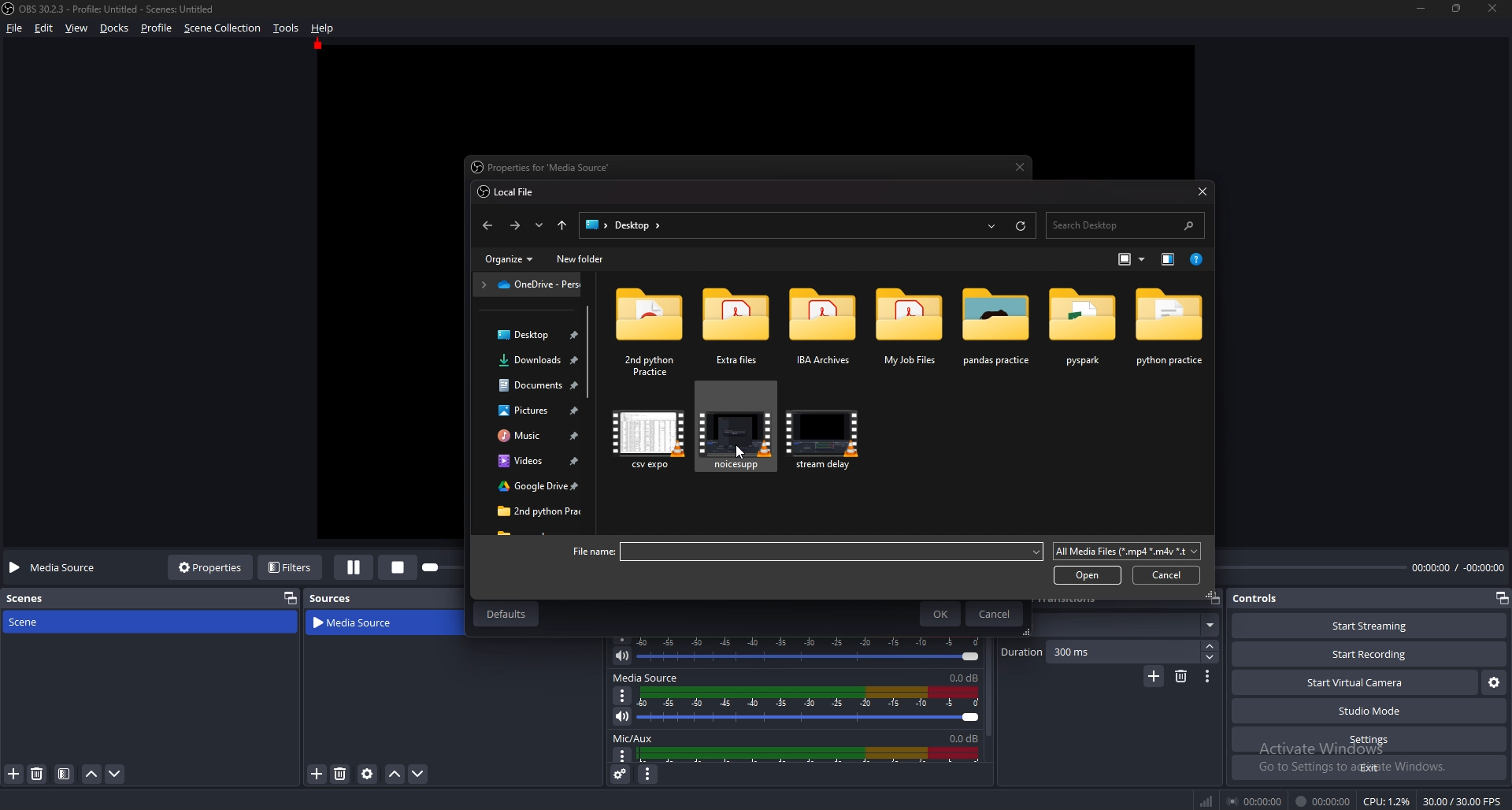 Image resolution: width=1512 pixels, height=810 pixels. Describe the element at coordinates (995, 614) in the screenshot. I see `Cancel` at that location.